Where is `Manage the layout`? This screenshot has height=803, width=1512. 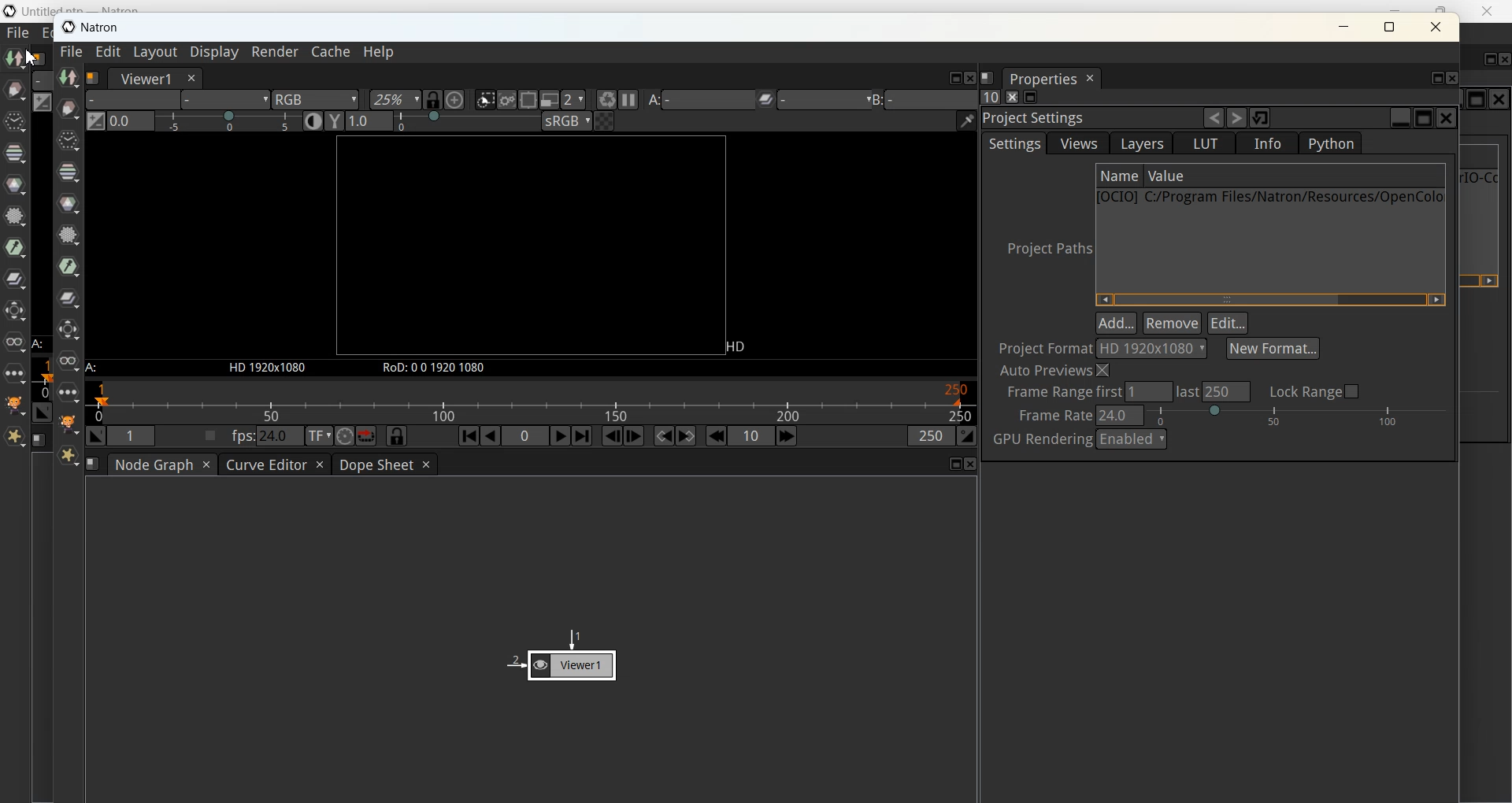 Manage the layout is located at coordinates (39, 440).